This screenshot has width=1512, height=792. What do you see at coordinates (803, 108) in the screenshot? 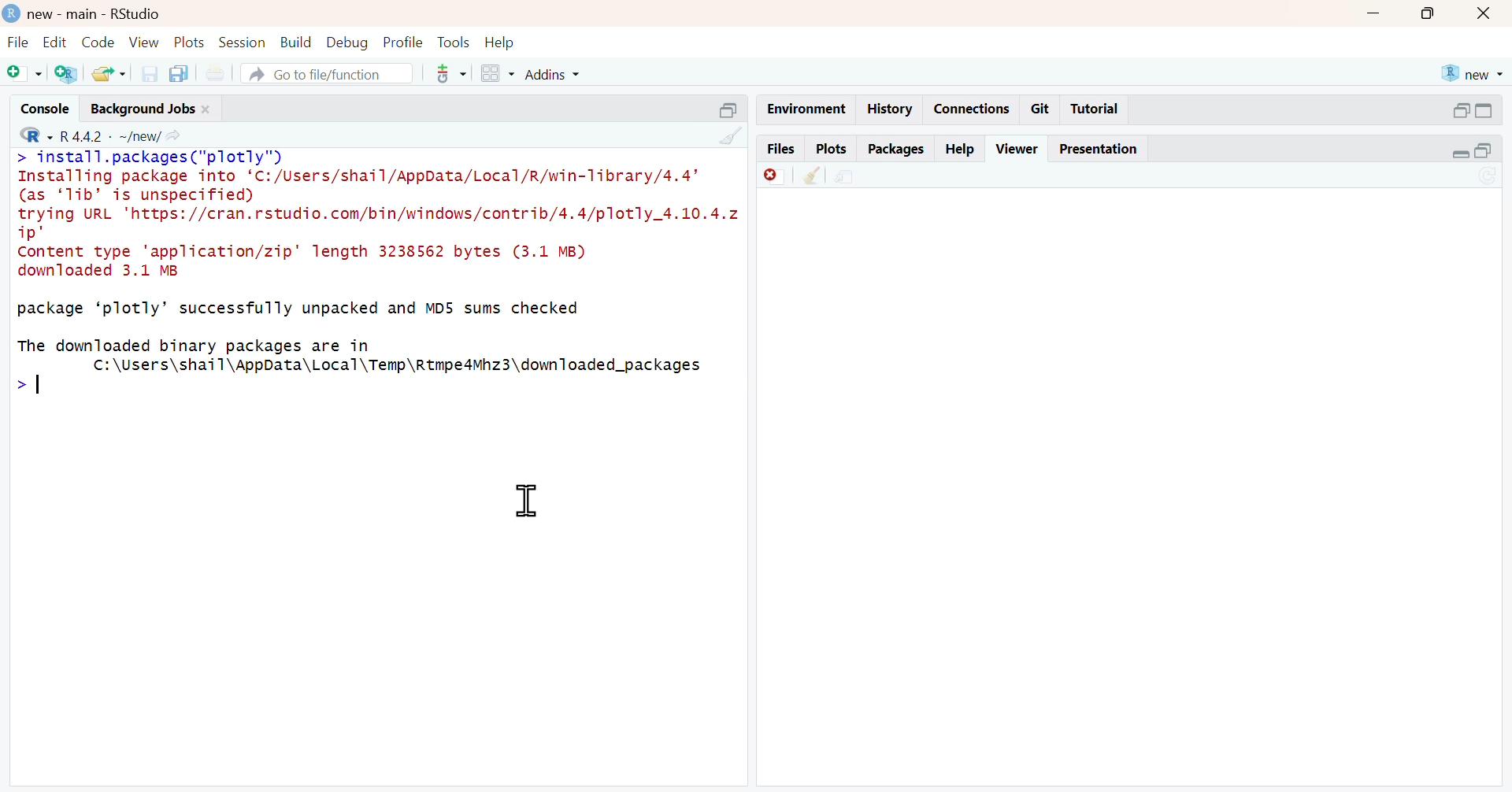
I see `environment` at bounding box center [803, 108].